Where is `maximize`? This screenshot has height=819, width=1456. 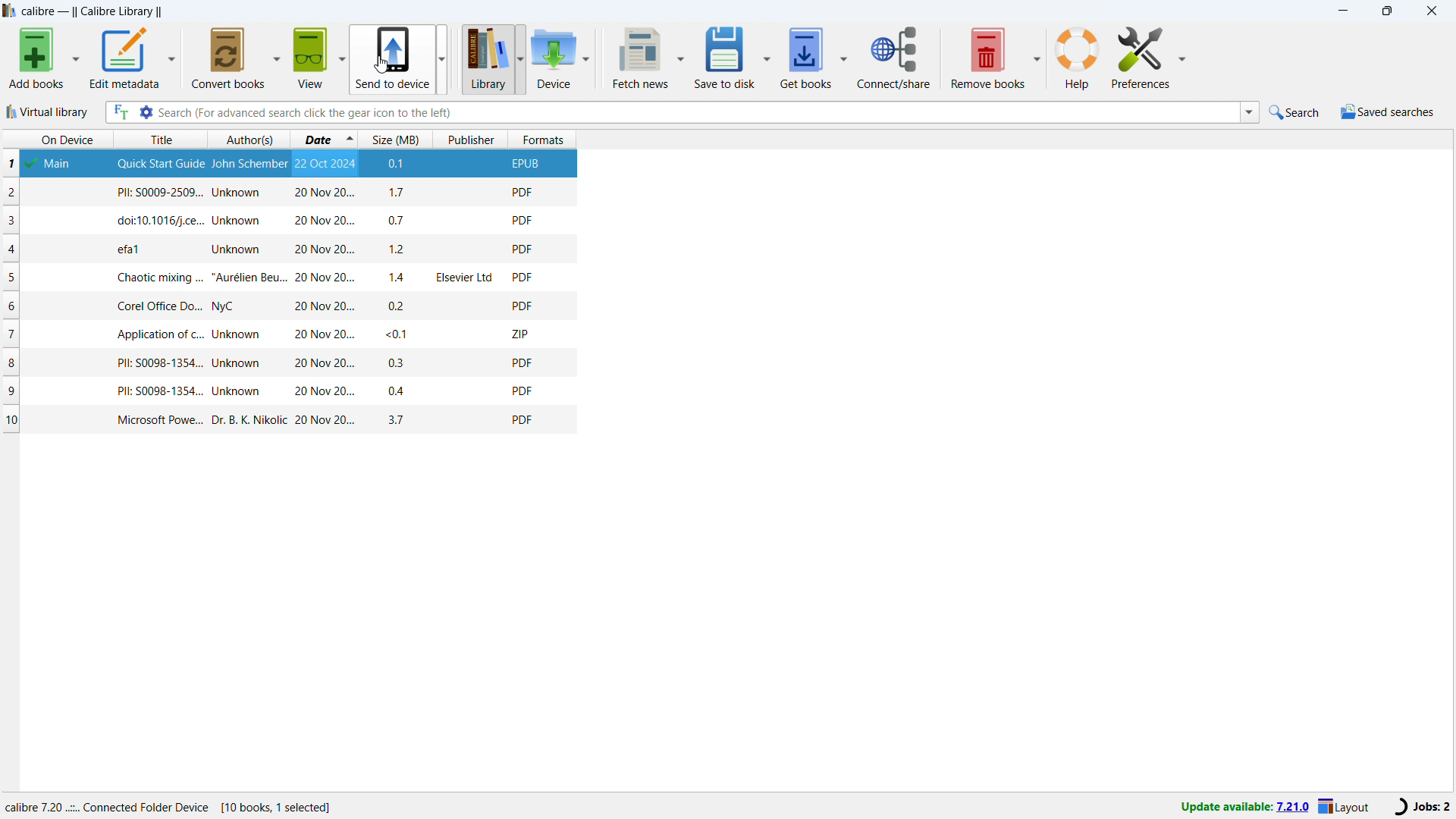 maximize is located at coordinates (1386, 11).